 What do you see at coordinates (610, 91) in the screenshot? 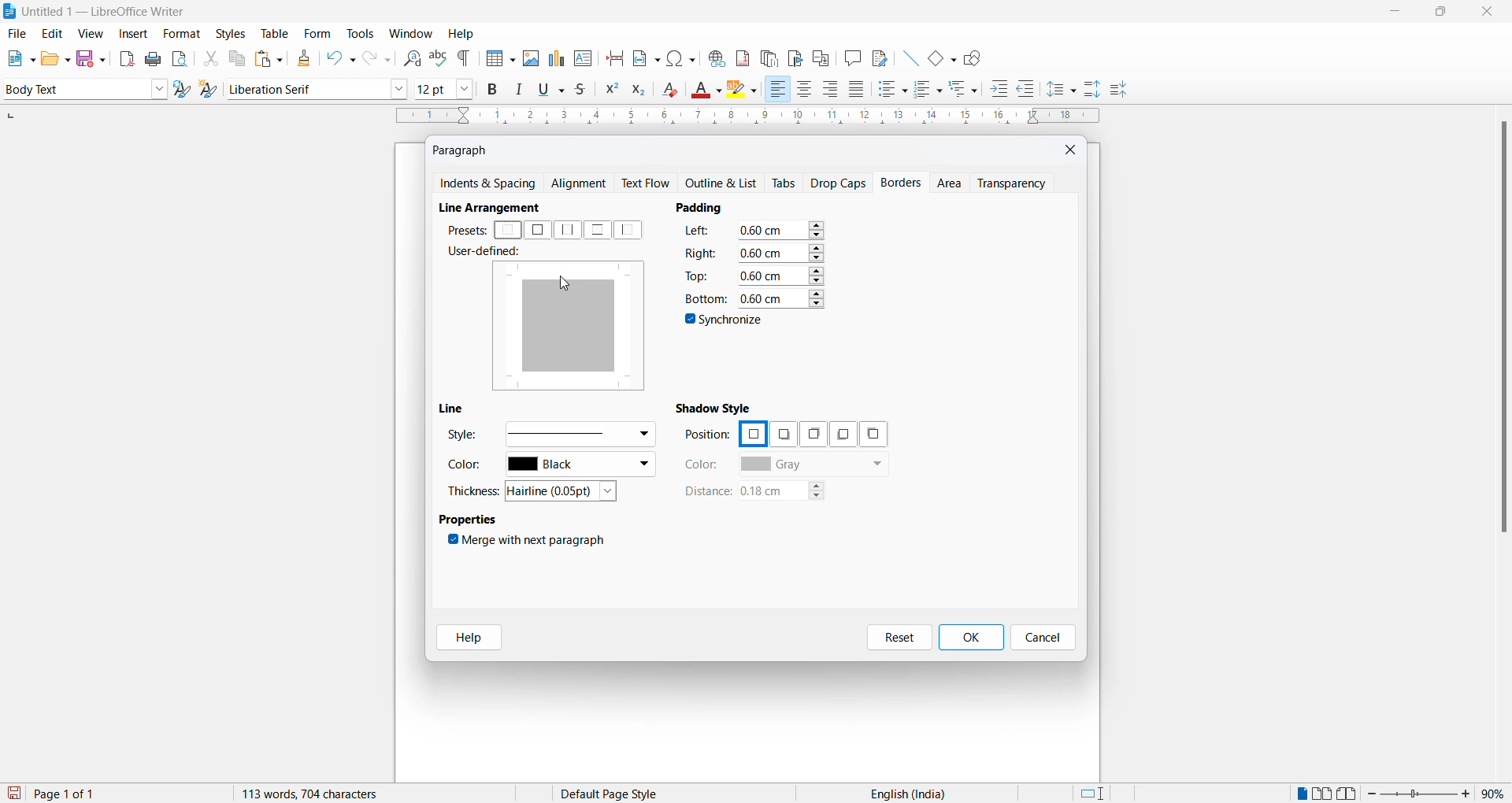
I see `superscript` at bounding box center [610, 91].